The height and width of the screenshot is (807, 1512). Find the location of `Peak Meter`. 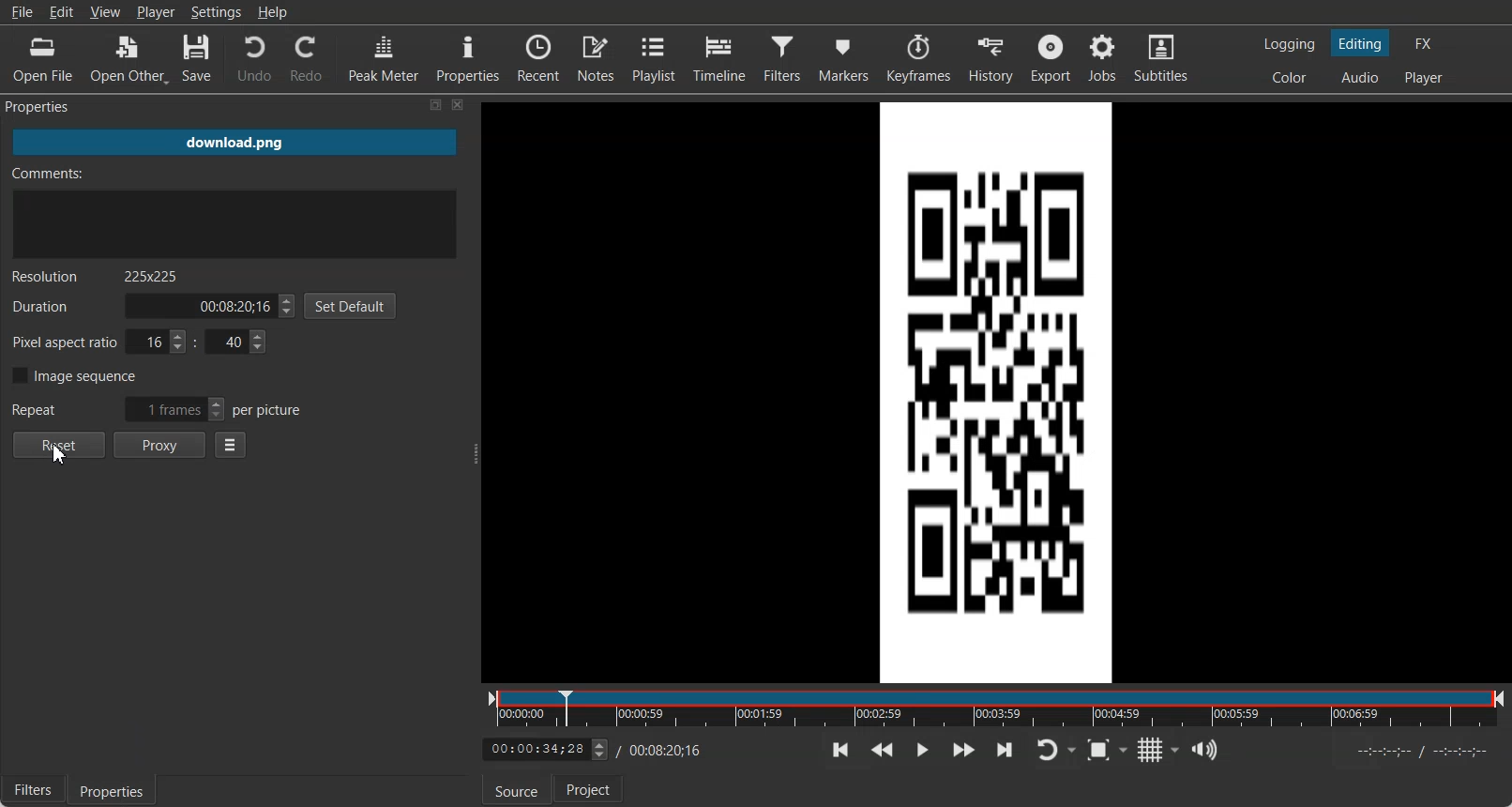

Peak Meter is located at coordinates (383, 58).